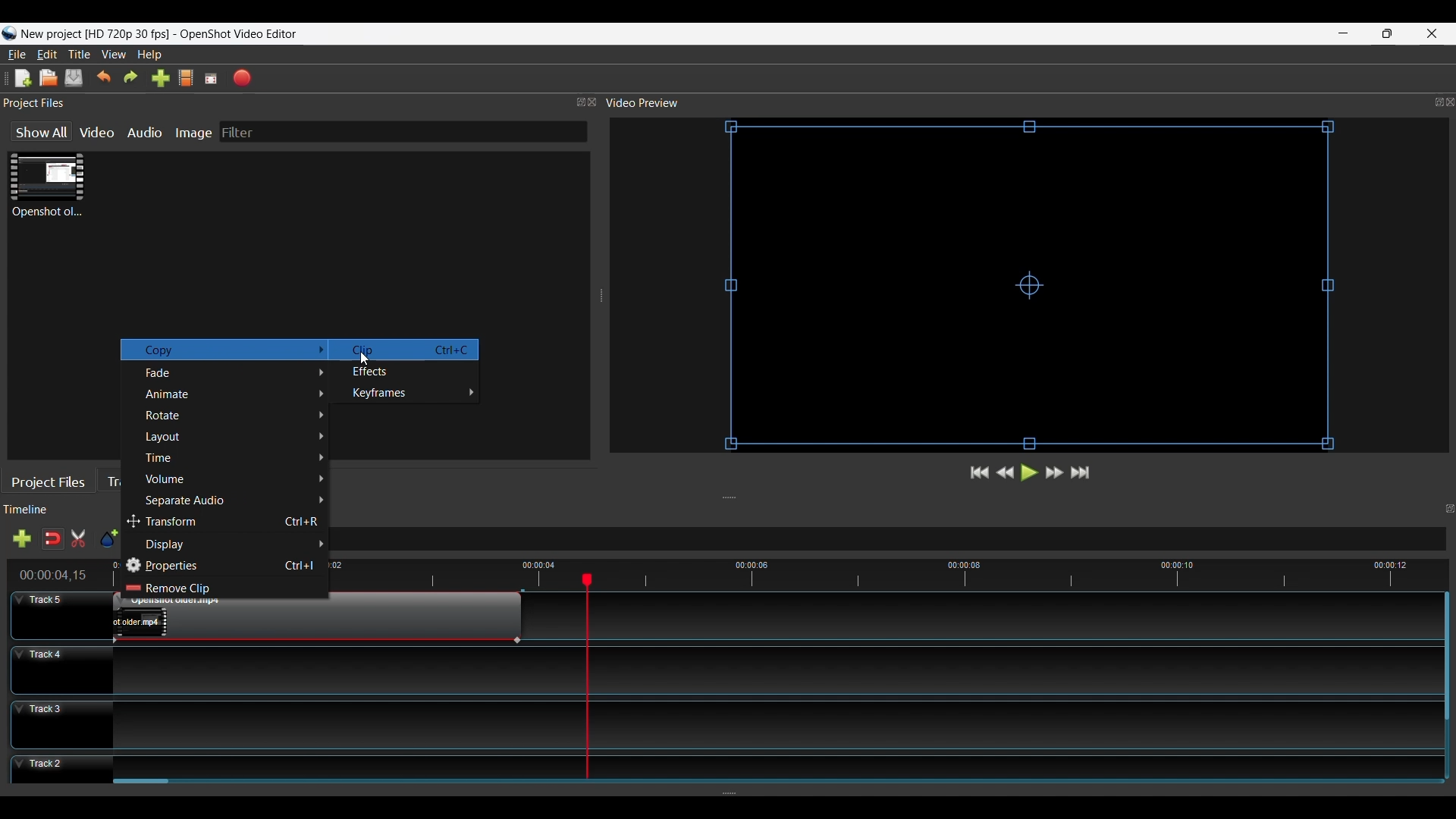 This screenshot has height=819, width=1456. Describe the element at coordinates (9, 34) in the screenshot. I see `Openshot Desktop icon` at that location.